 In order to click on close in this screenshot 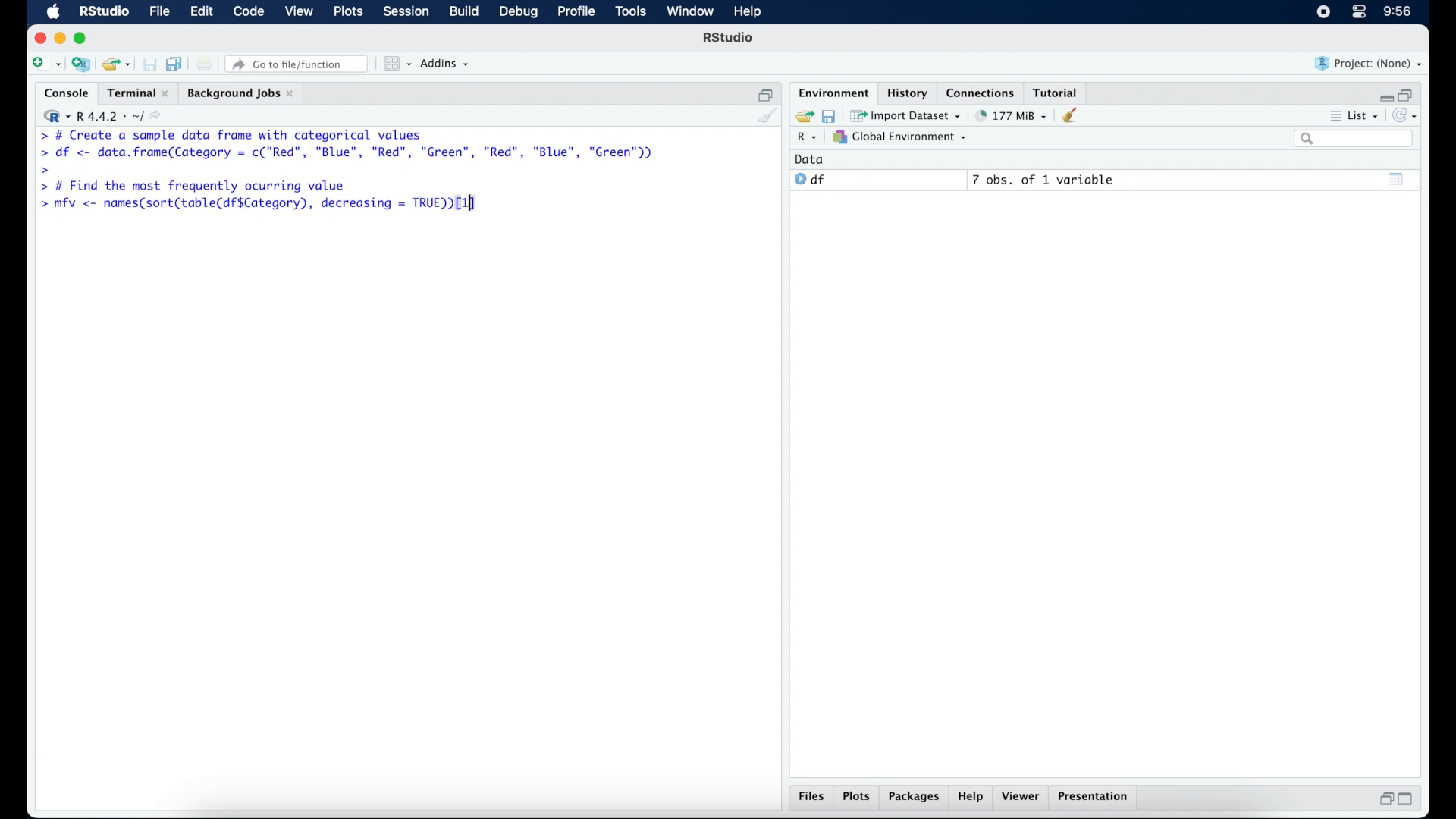, I will do `click(37, 37)`.